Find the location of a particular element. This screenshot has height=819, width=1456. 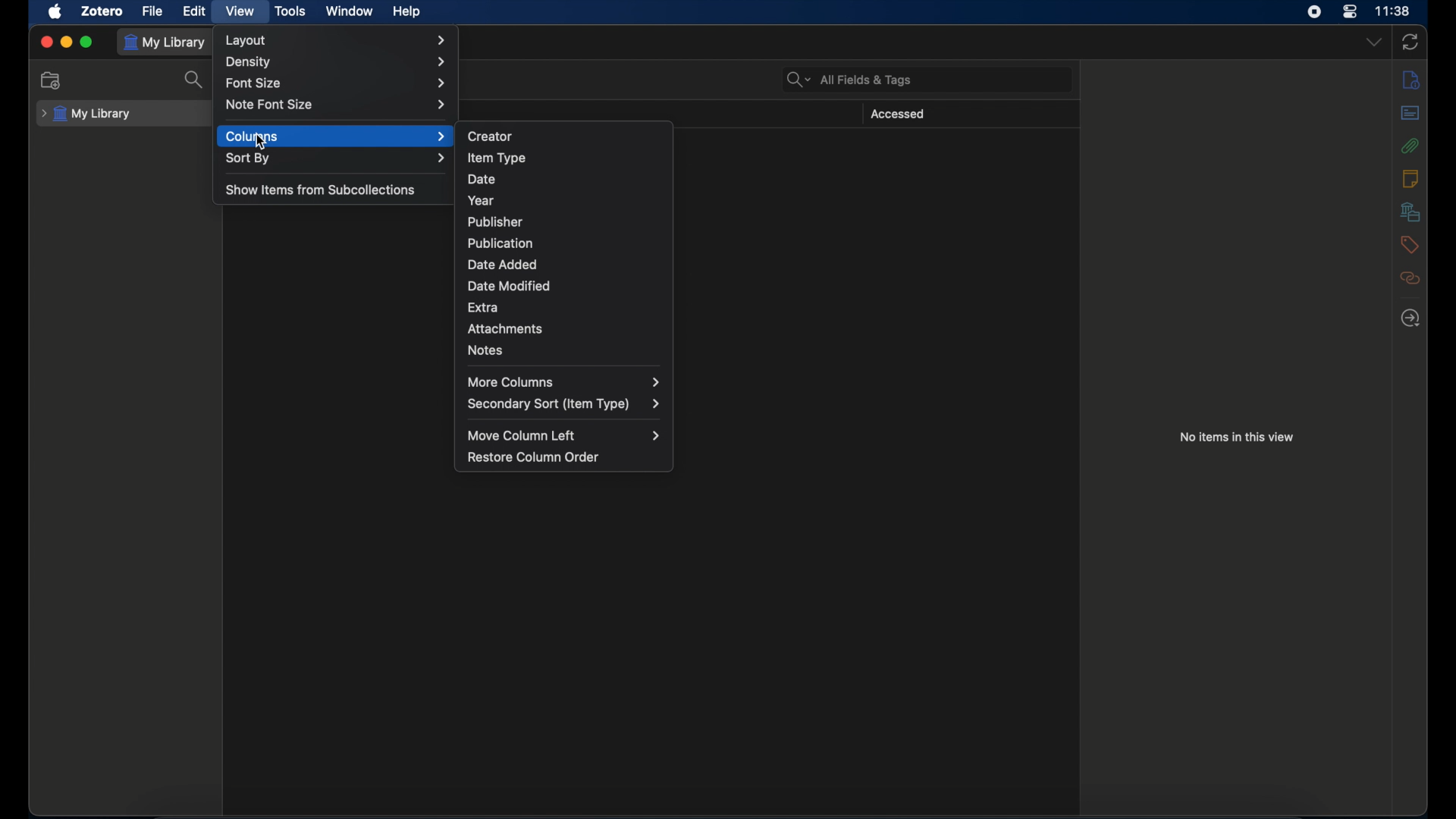

secondary sort is located at coordinates (565, 404).